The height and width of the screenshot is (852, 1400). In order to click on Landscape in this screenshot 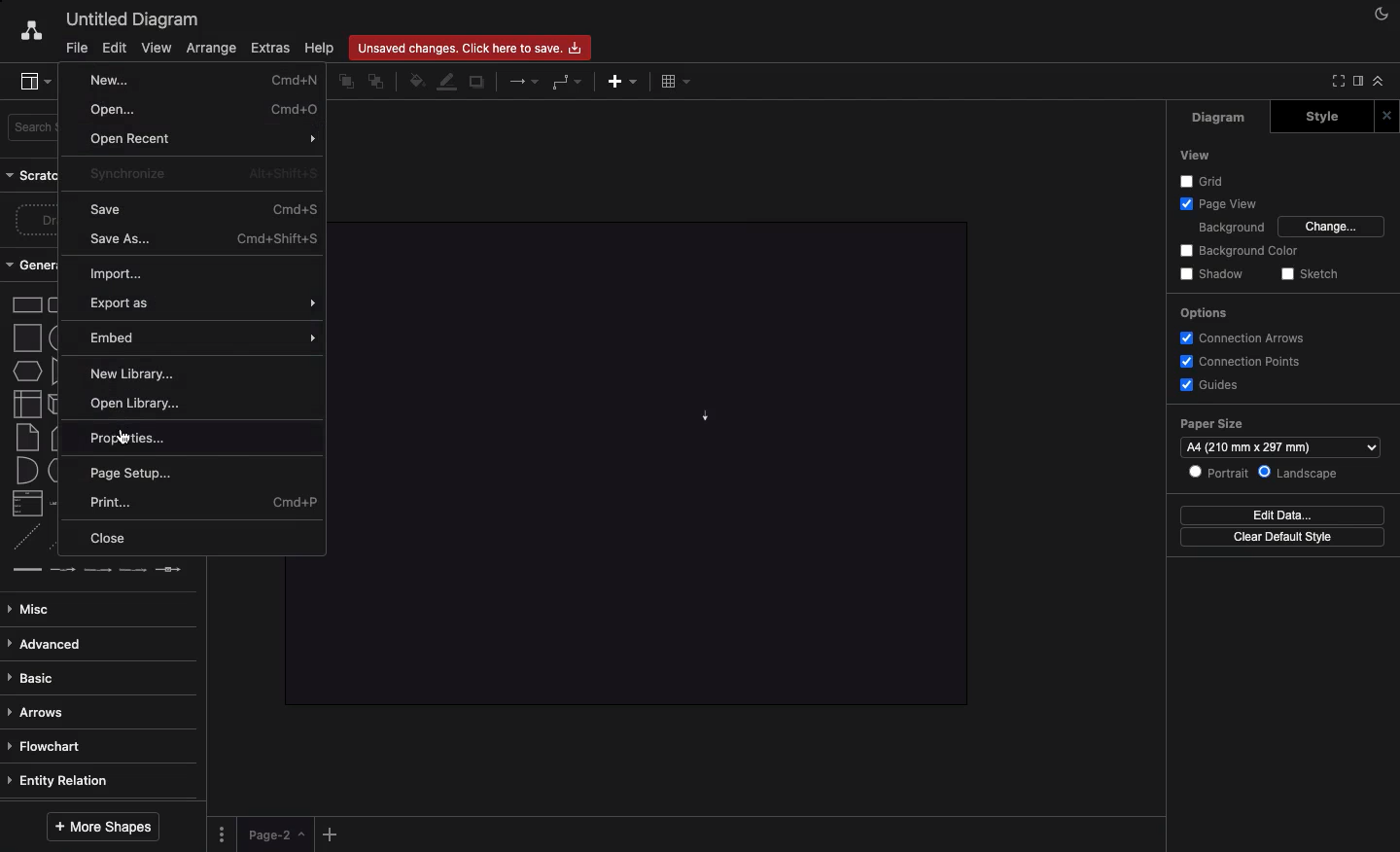, I will do `click(1299, 474)`.